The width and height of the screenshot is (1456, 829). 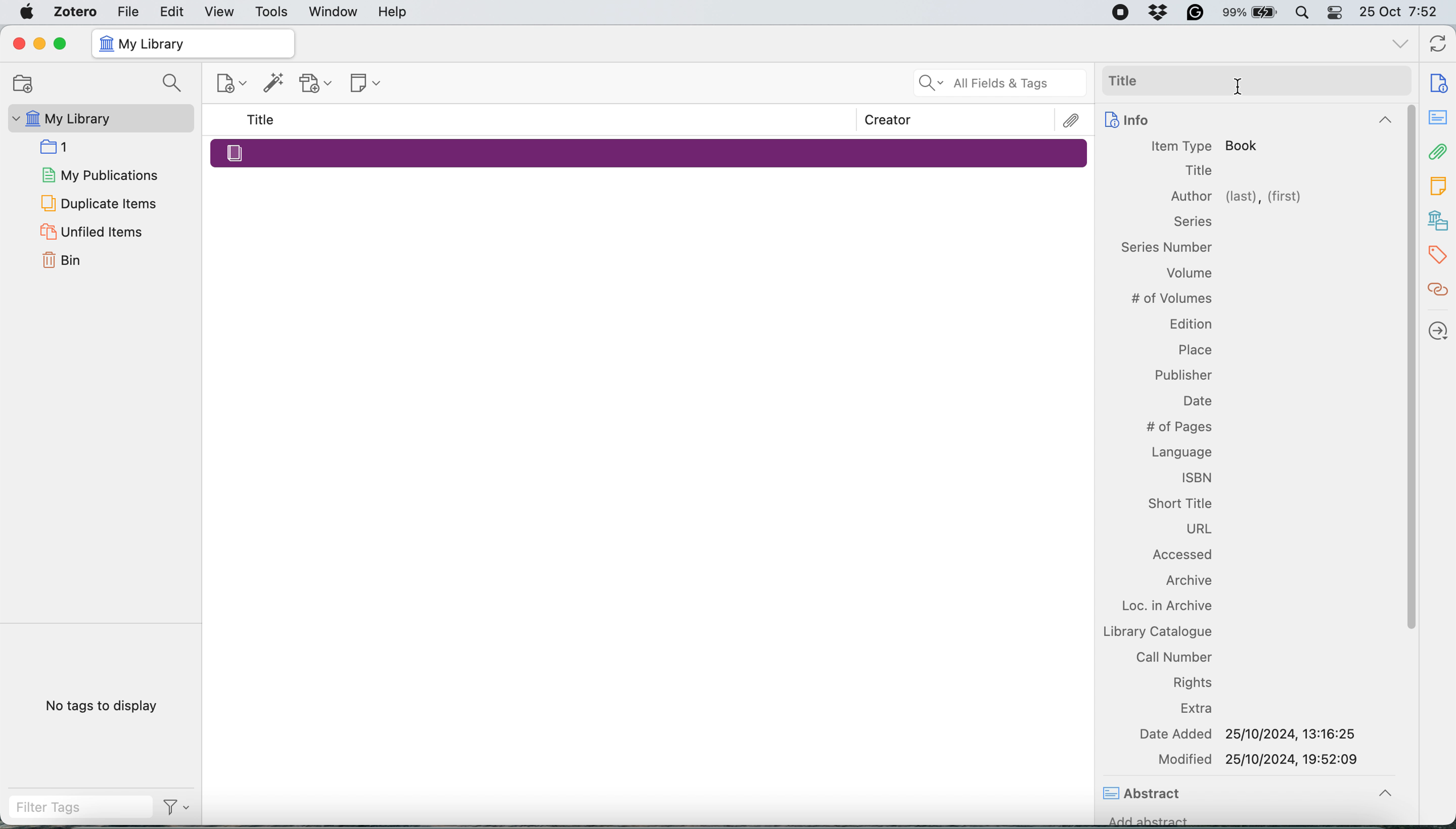 I want to click on Window, so click(x=334, y=12).